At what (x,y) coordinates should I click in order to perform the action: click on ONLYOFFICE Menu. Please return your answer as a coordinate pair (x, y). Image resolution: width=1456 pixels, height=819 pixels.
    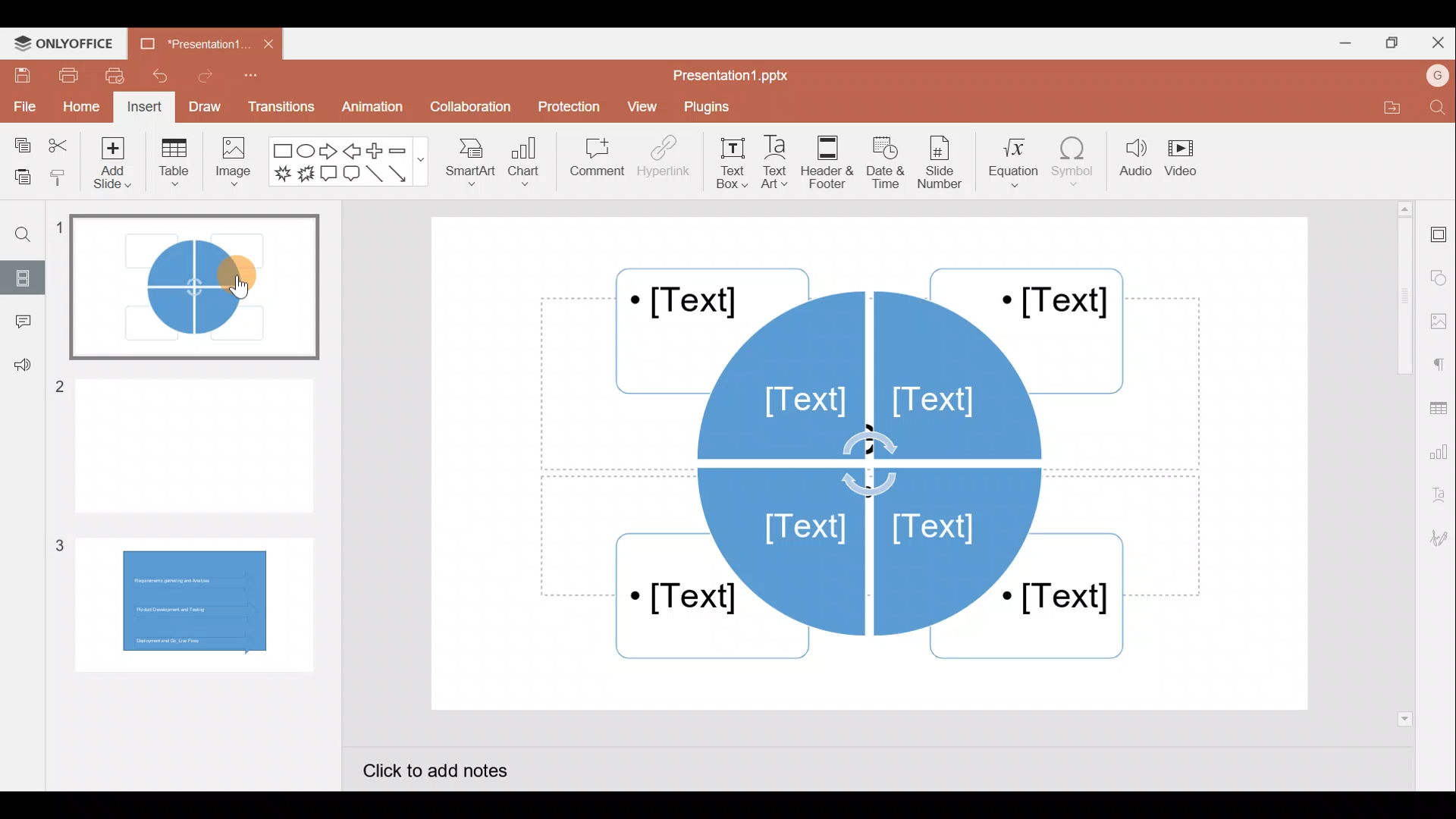
    Looking at the image, I should click on (72, 44).